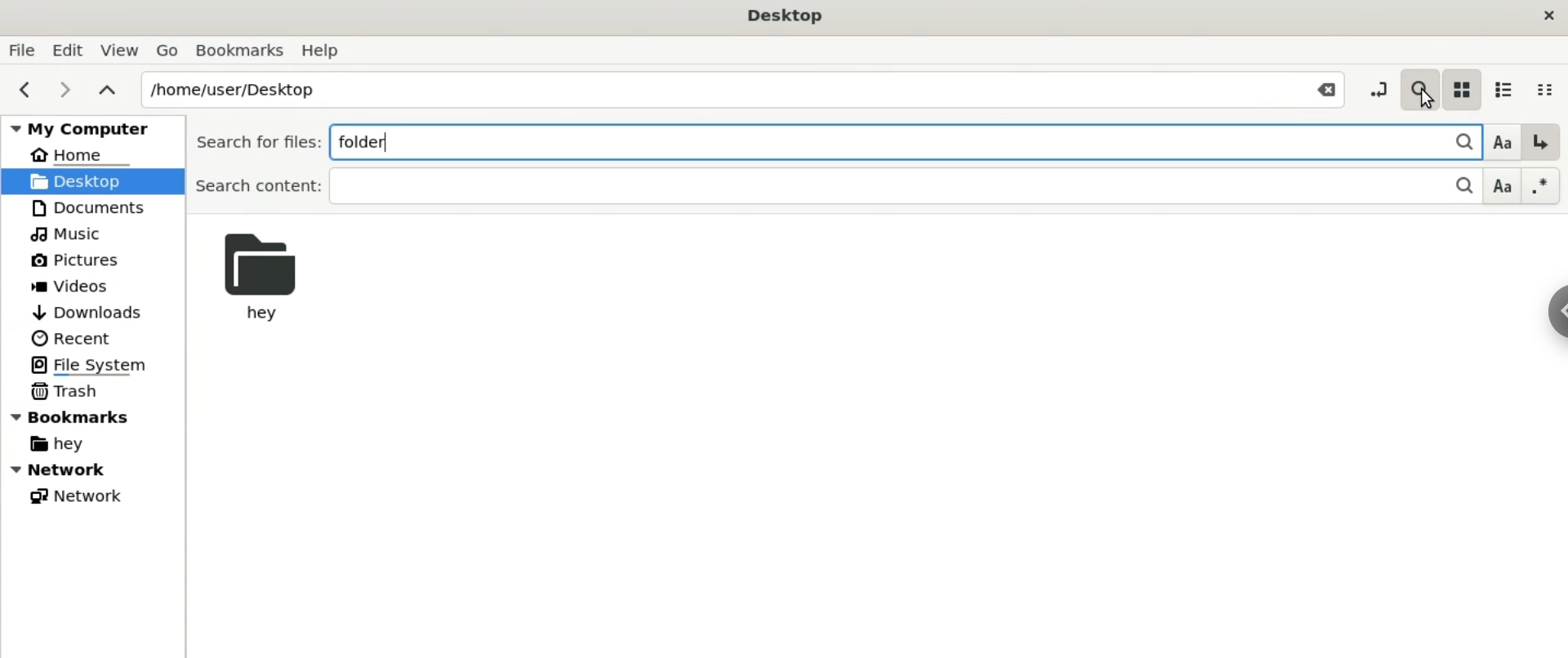 This screenshot has width=1568, height=658. I want to click on Documents, so click(90, 207).